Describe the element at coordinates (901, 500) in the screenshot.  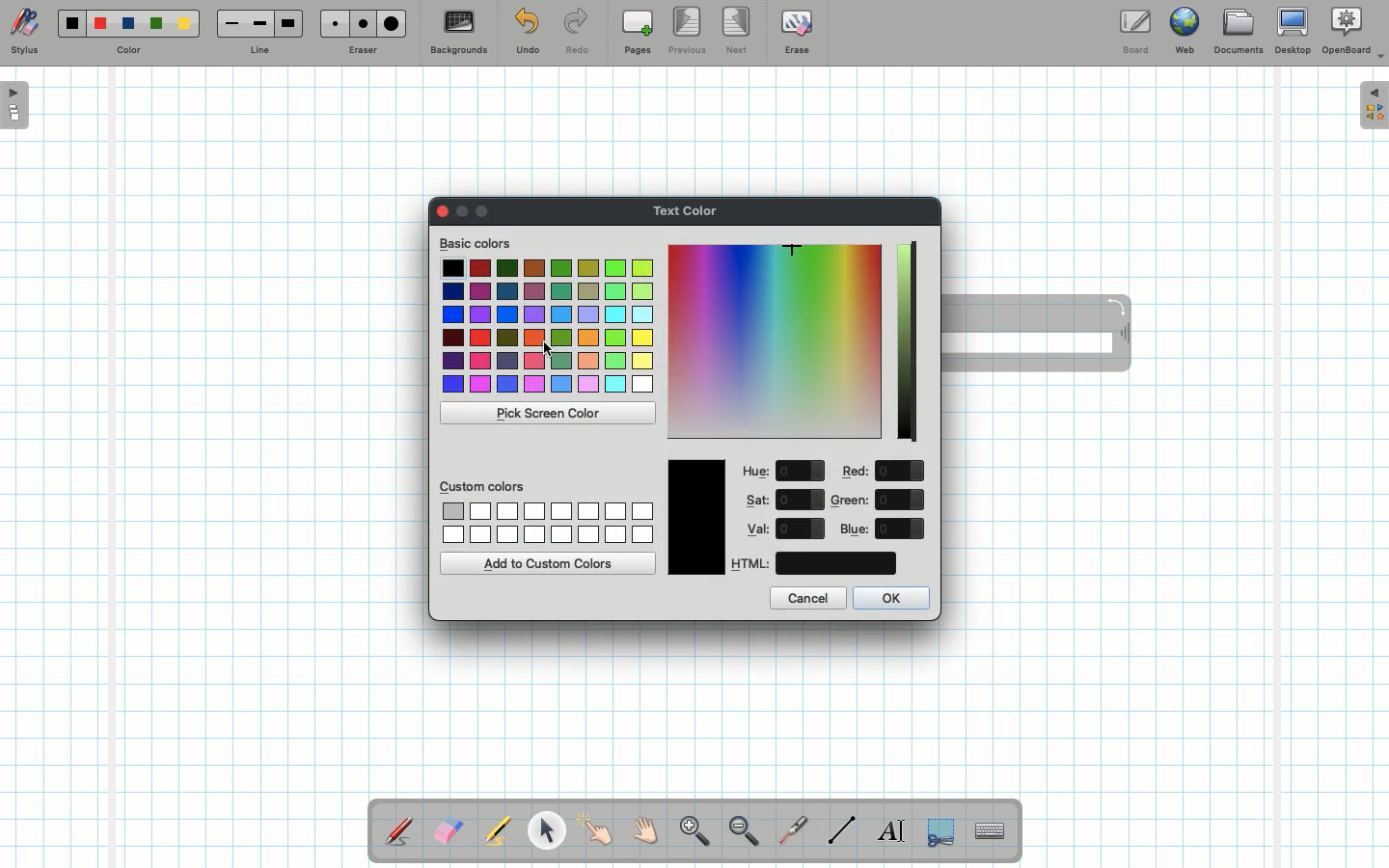
I see `value` at that location.